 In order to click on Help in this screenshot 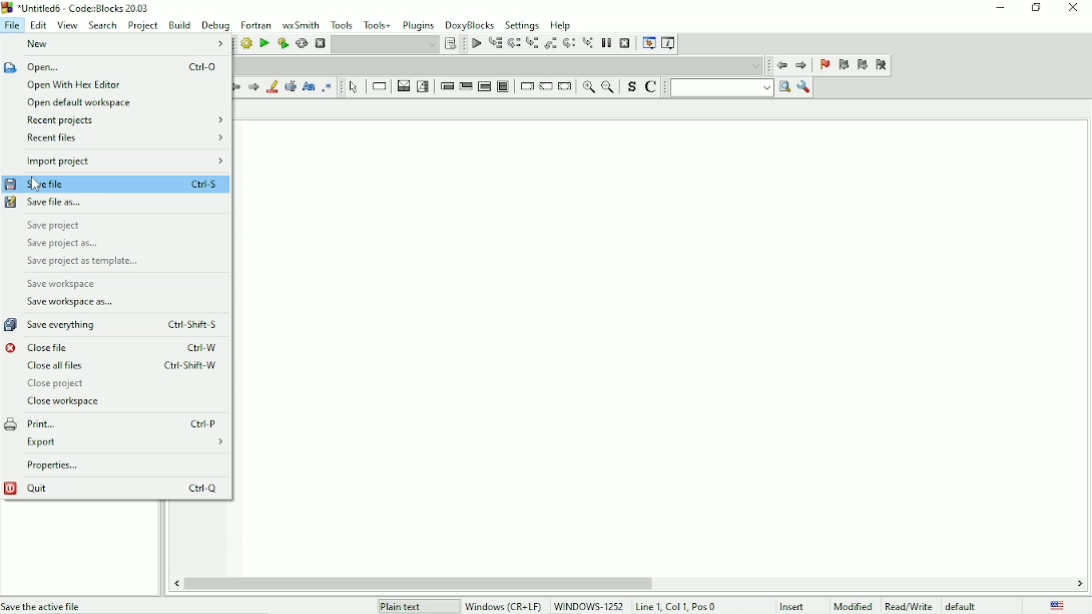, I will do `click(562, 24)`.